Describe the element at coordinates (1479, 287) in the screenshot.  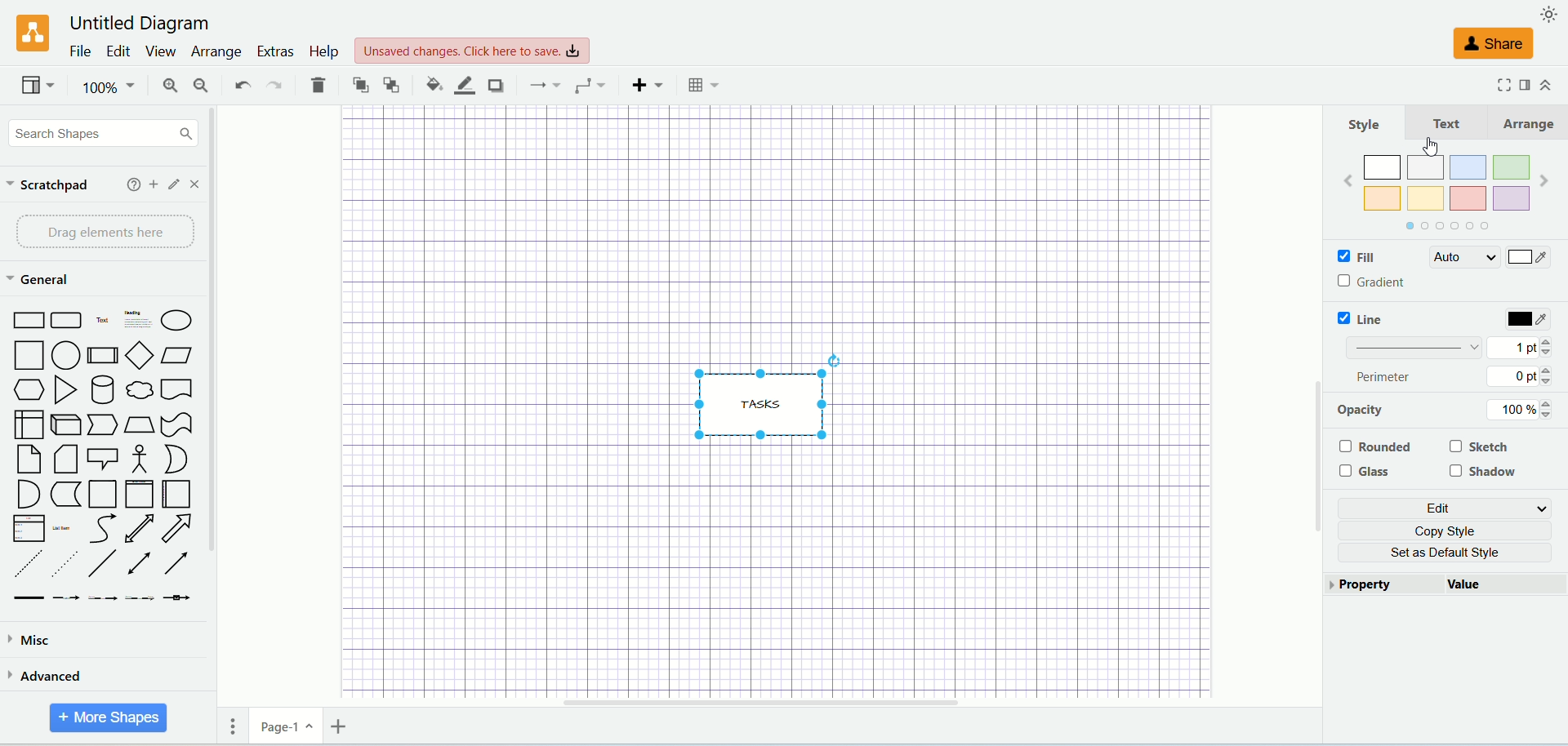
I see `sketch` at that location.